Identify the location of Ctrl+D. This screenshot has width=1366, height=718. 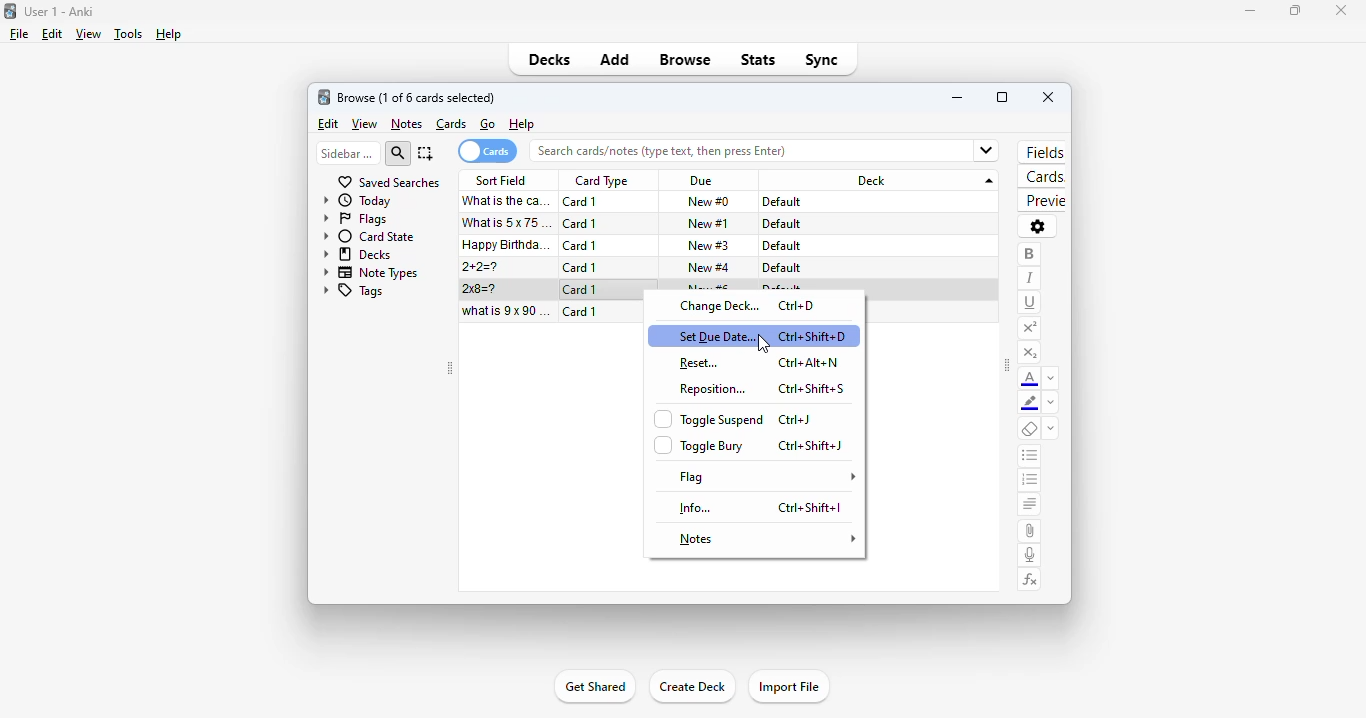
(797, 305).